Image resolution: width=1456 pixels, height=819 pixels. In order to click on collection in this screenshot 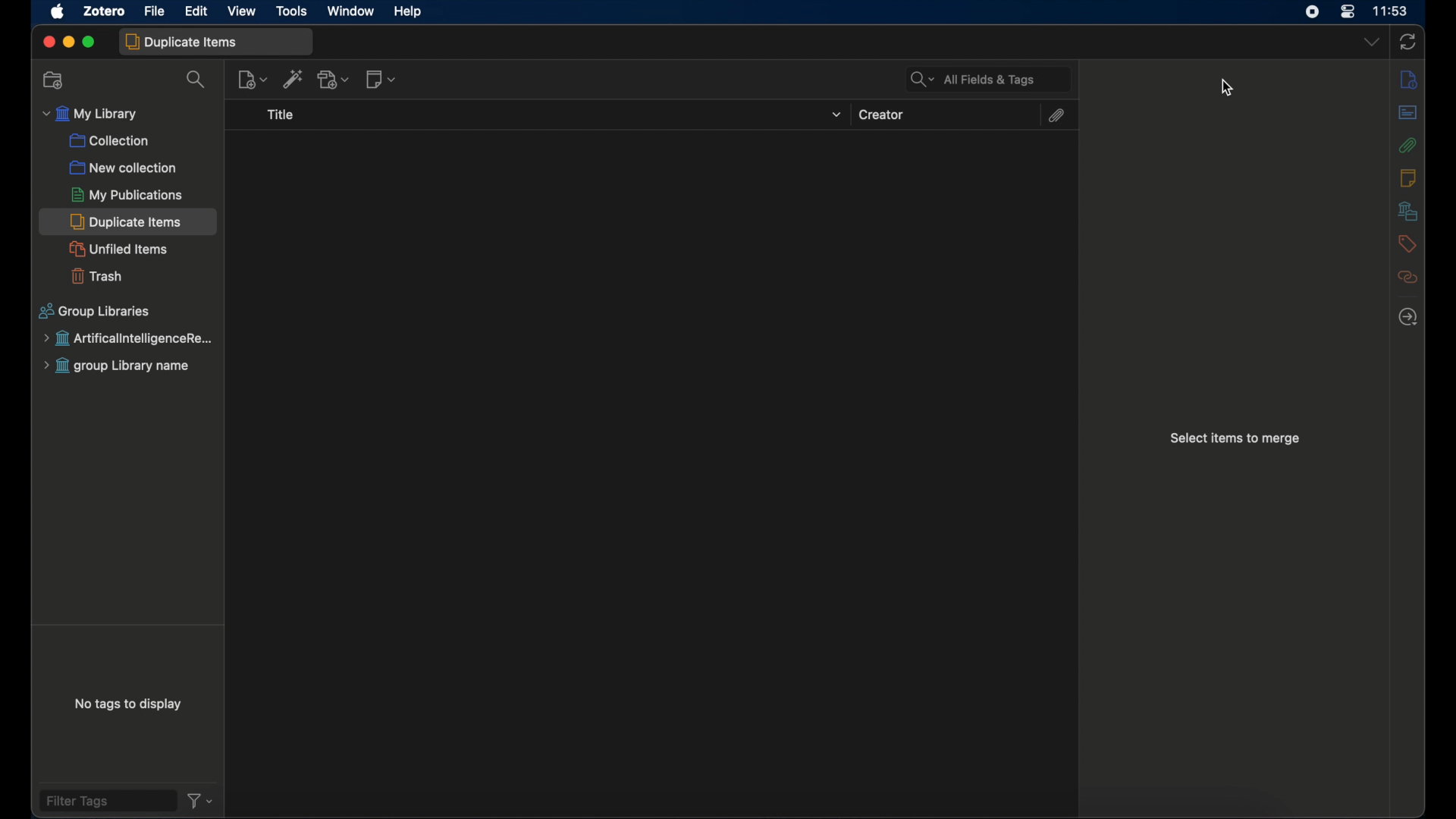, I will do `click(109, 142)`.